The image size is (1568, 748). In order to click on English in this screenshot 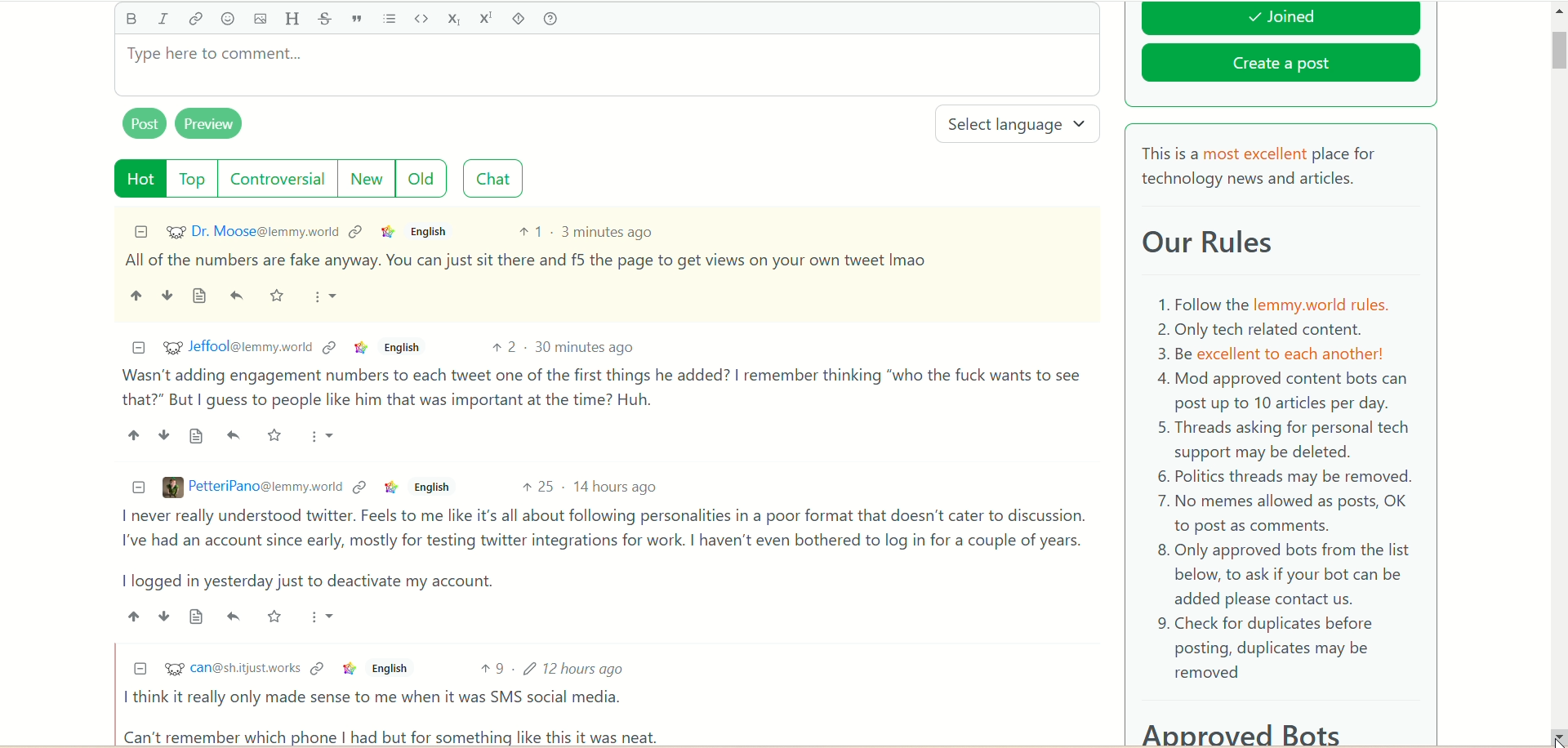, I will do `click(432, 232)`.